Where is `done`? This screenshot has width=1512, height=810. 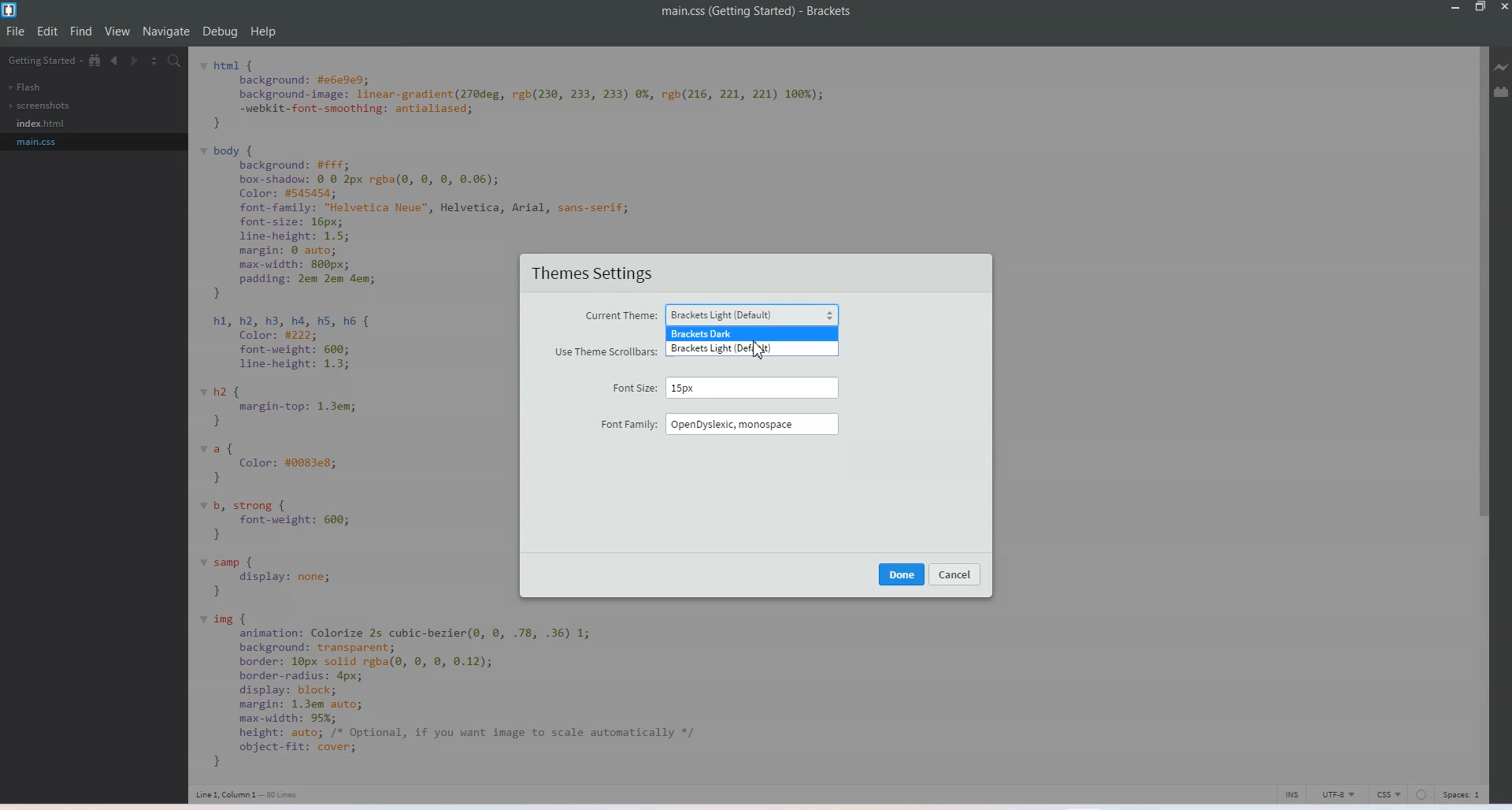 done is located at coordinates (901, 574).